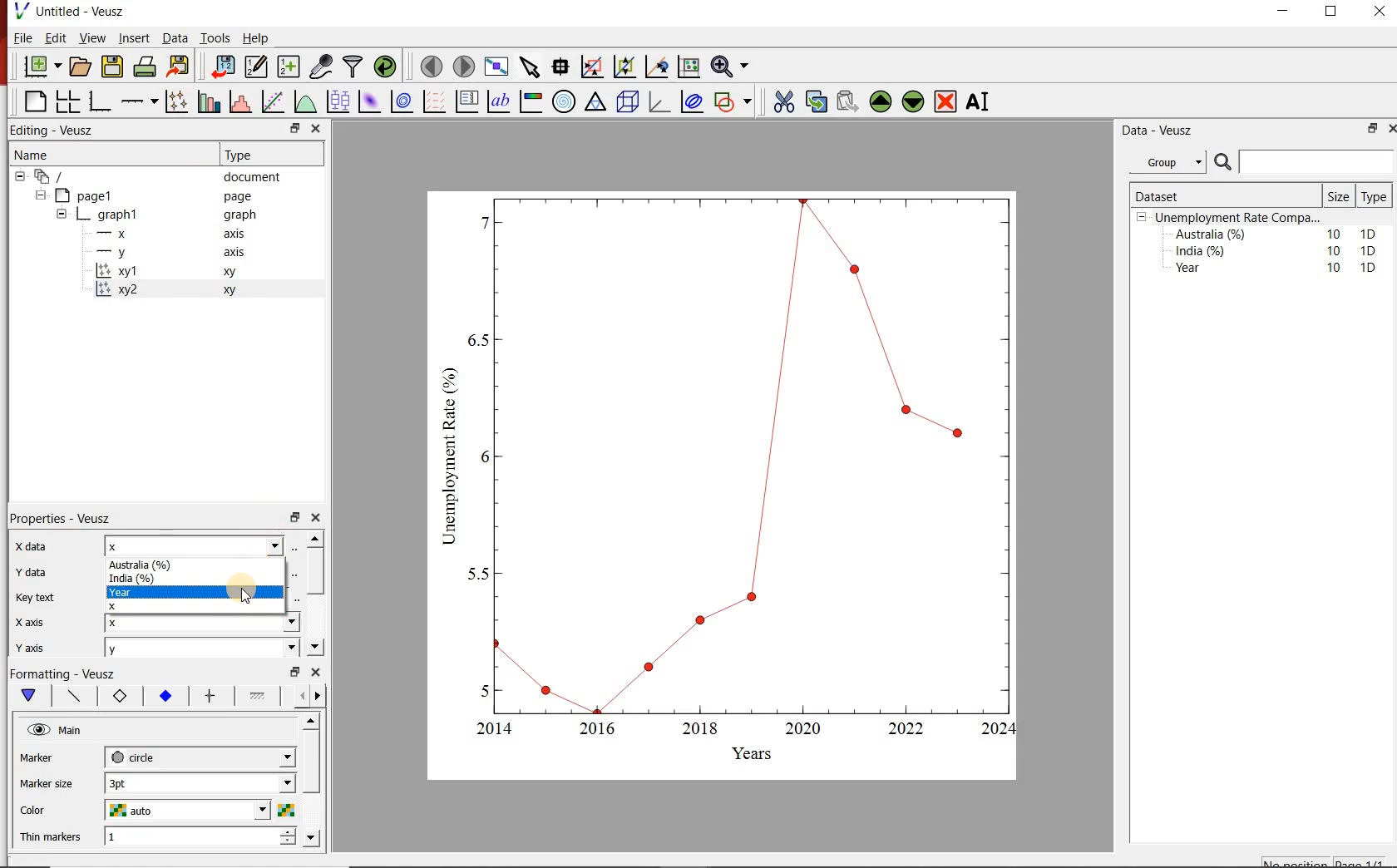 The height and width of the screenshot is (868, 1397). What do you see at coordinates (290, 831) in the screenshot?
I see `increase` at bounding box center [290, 831].